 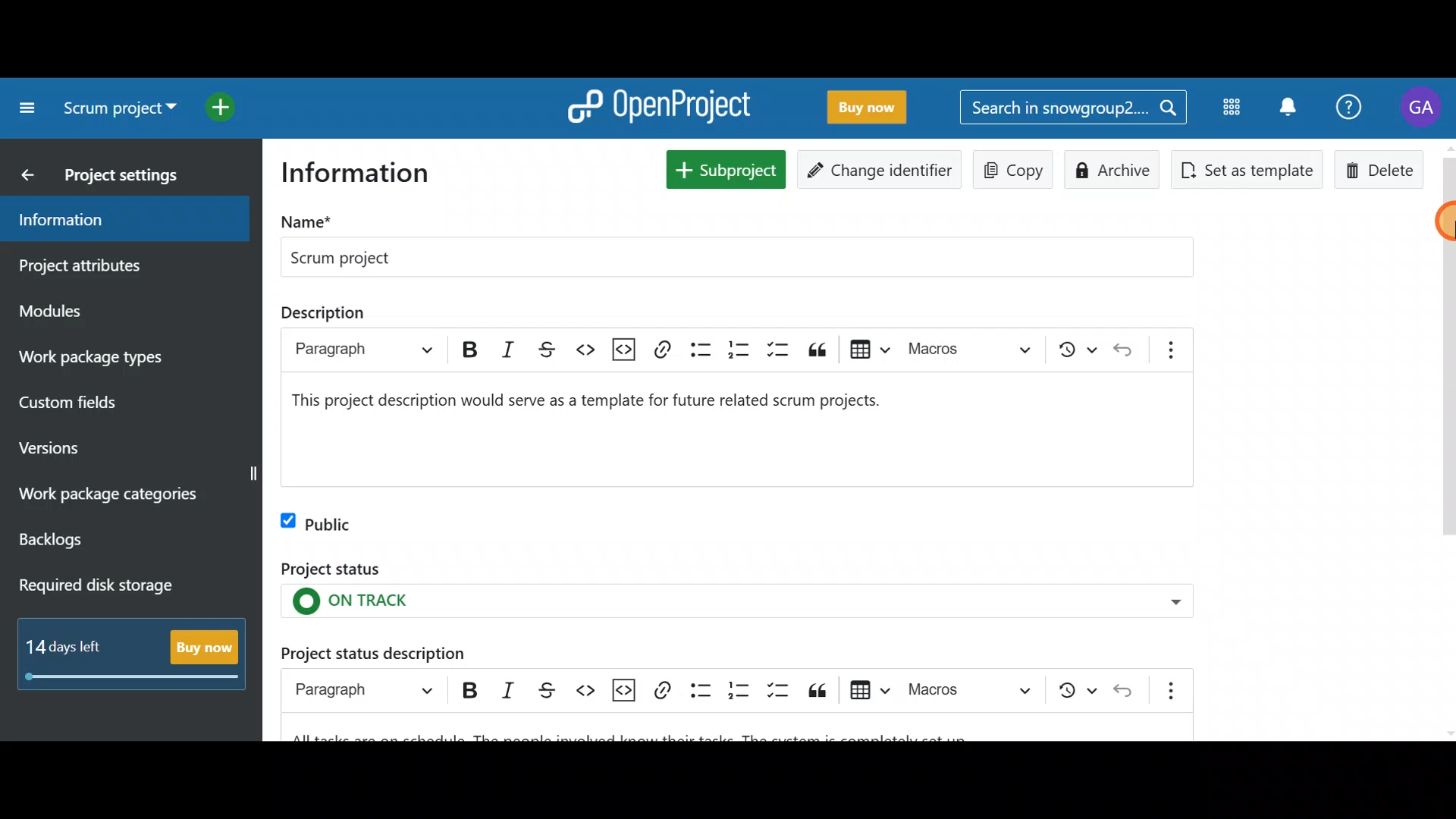 I want to click on Cursor, so click(x=1432, y=223).